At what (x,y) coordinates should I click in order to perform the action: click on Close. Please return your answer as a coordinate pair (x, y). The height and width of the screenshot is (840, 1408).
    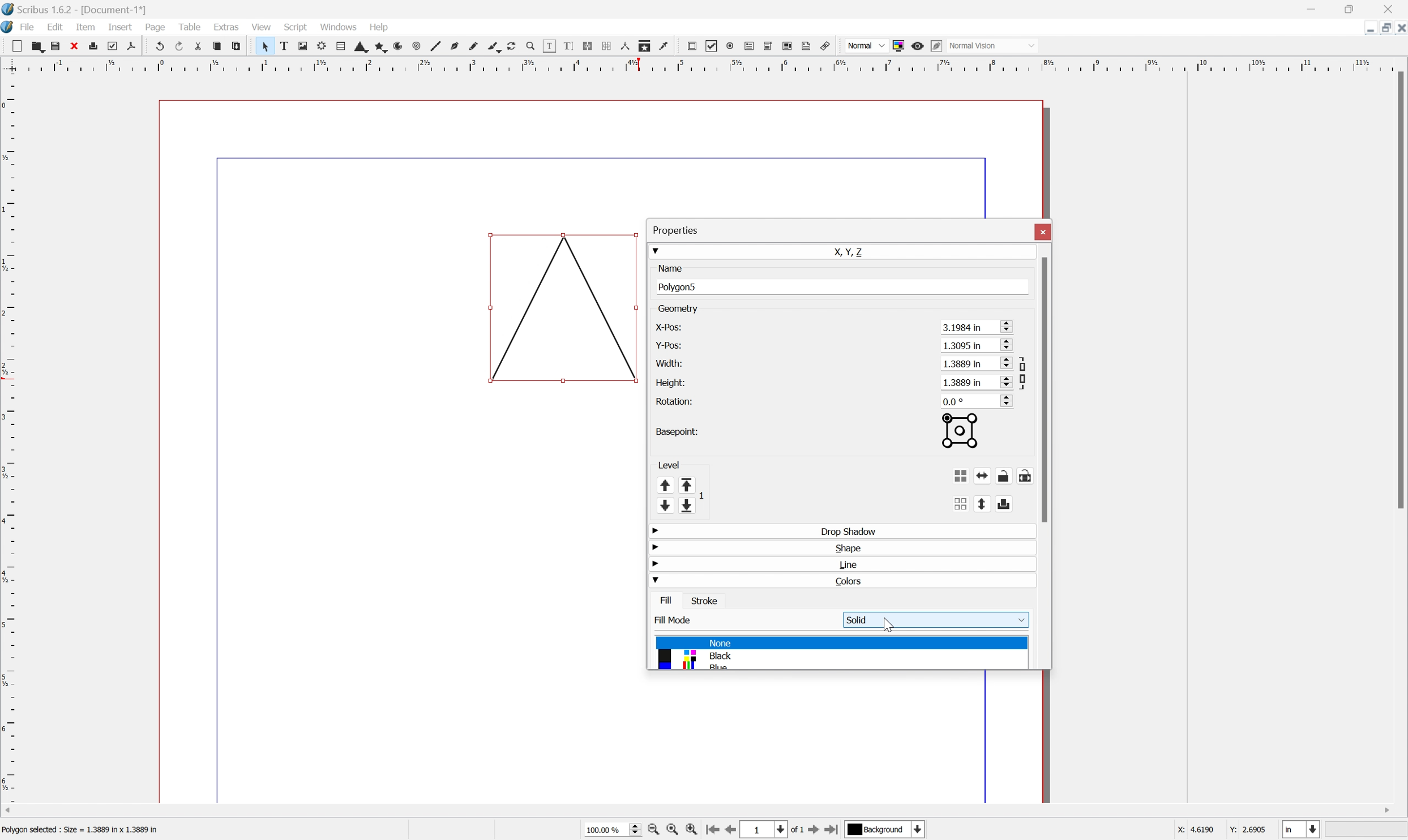
    Looking at the image, I should click on (1043, 231).